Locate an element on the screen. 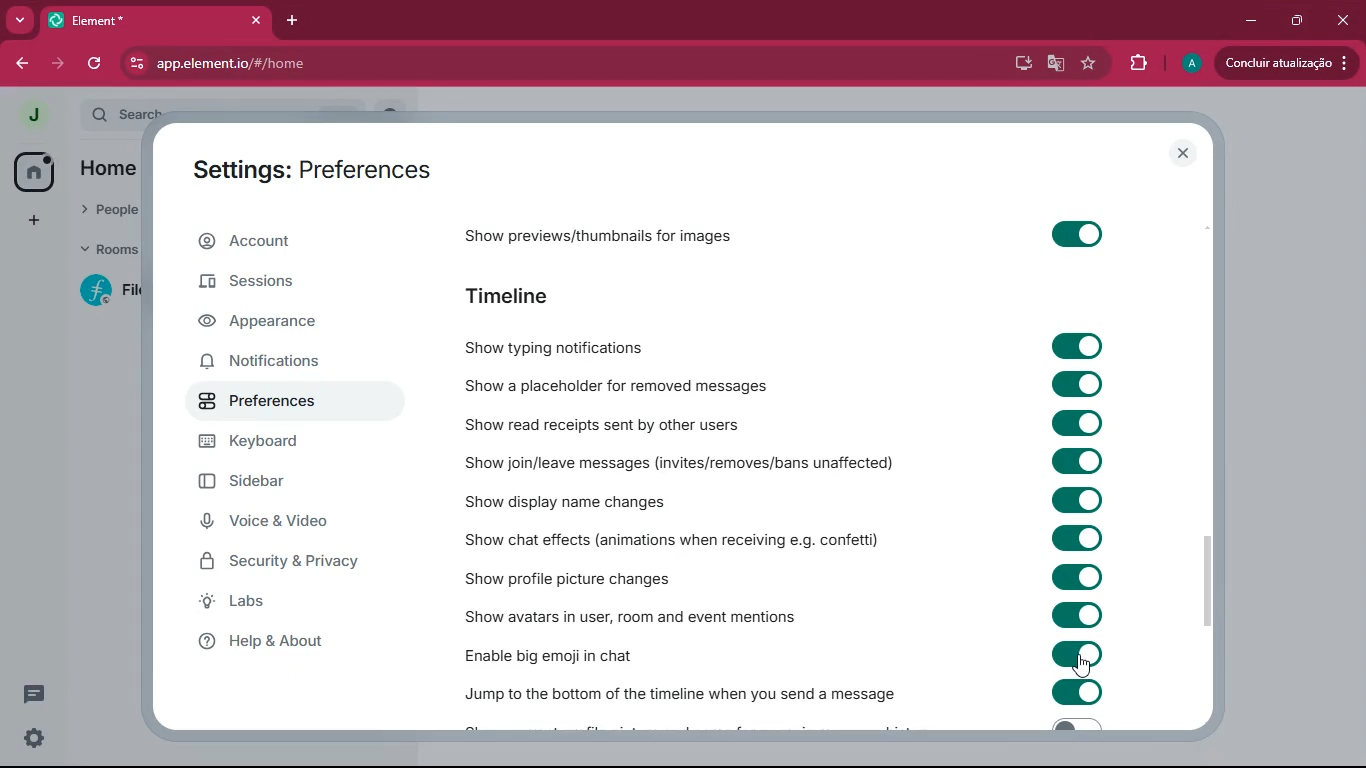 The width and height of the screenshot is (1366, 768). add tab is located at coordinates (287, 21).